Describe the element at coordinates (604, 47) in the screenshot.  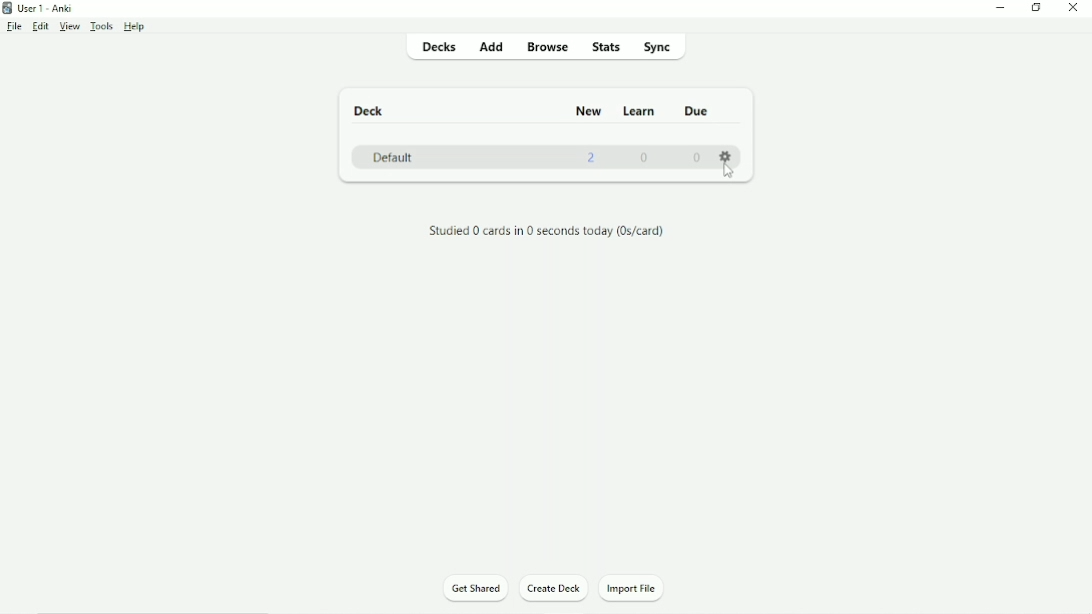
I see `Stats` at that location.